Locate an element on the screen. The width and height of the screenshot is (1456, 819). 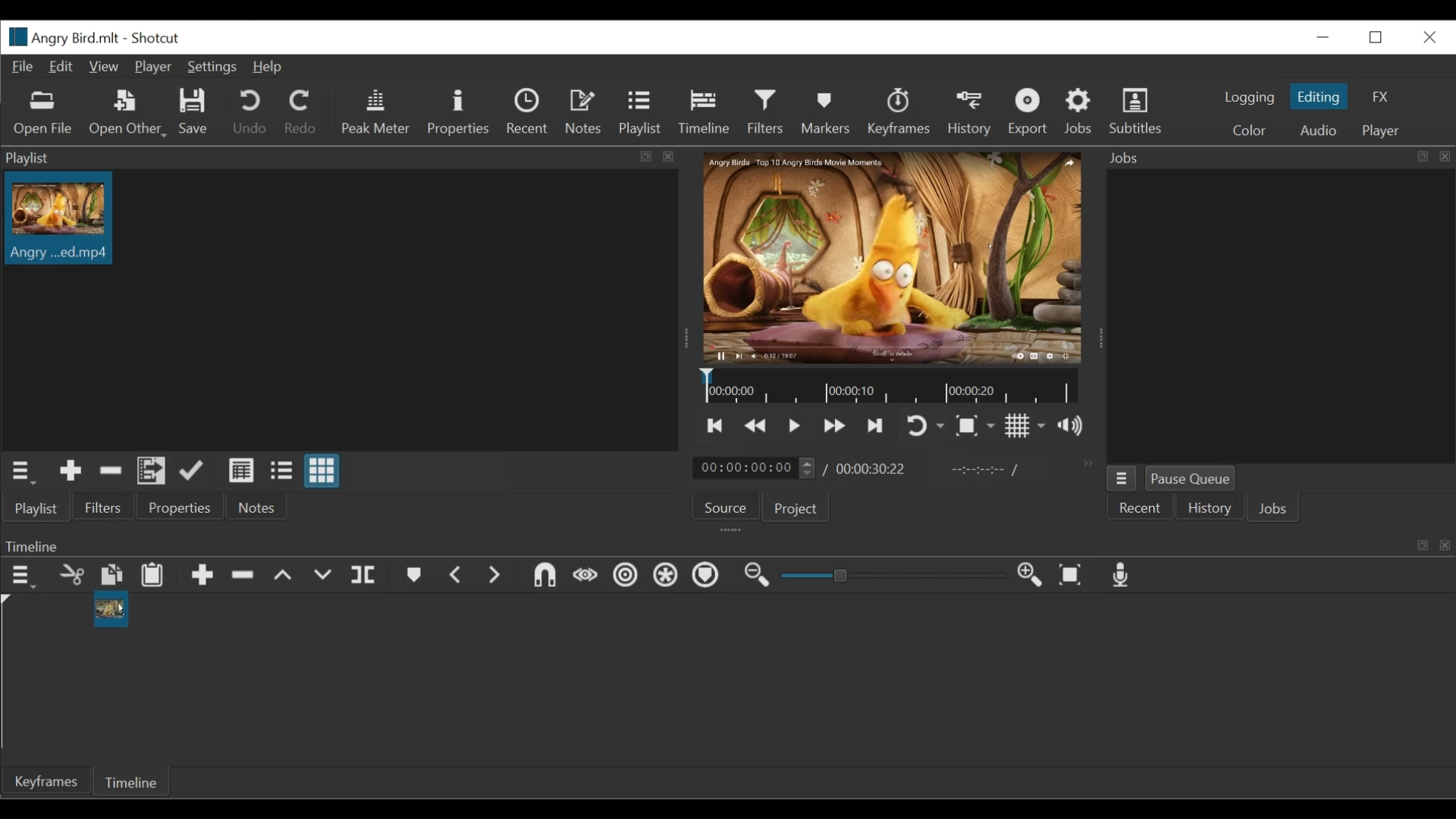
current duration is located at coordinates (753, 468).